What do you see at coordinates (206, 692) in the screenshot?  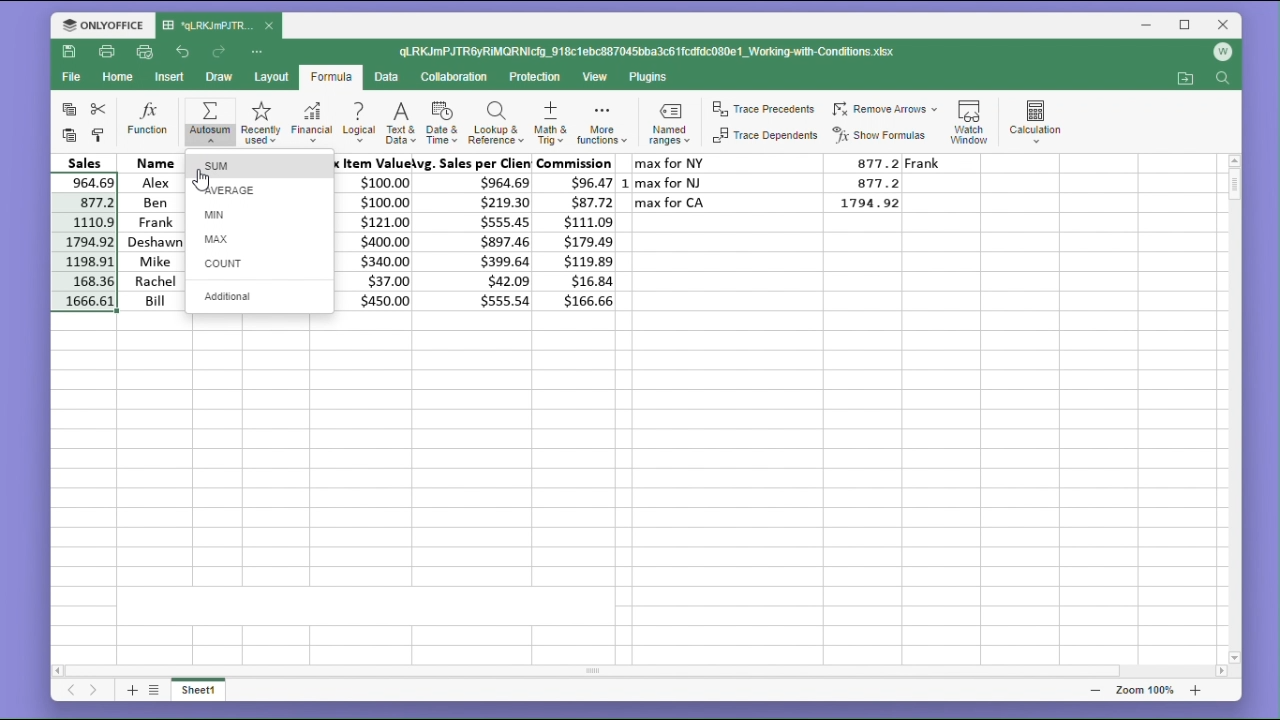 I see `sheet 1` at bounding box center [206, 692].